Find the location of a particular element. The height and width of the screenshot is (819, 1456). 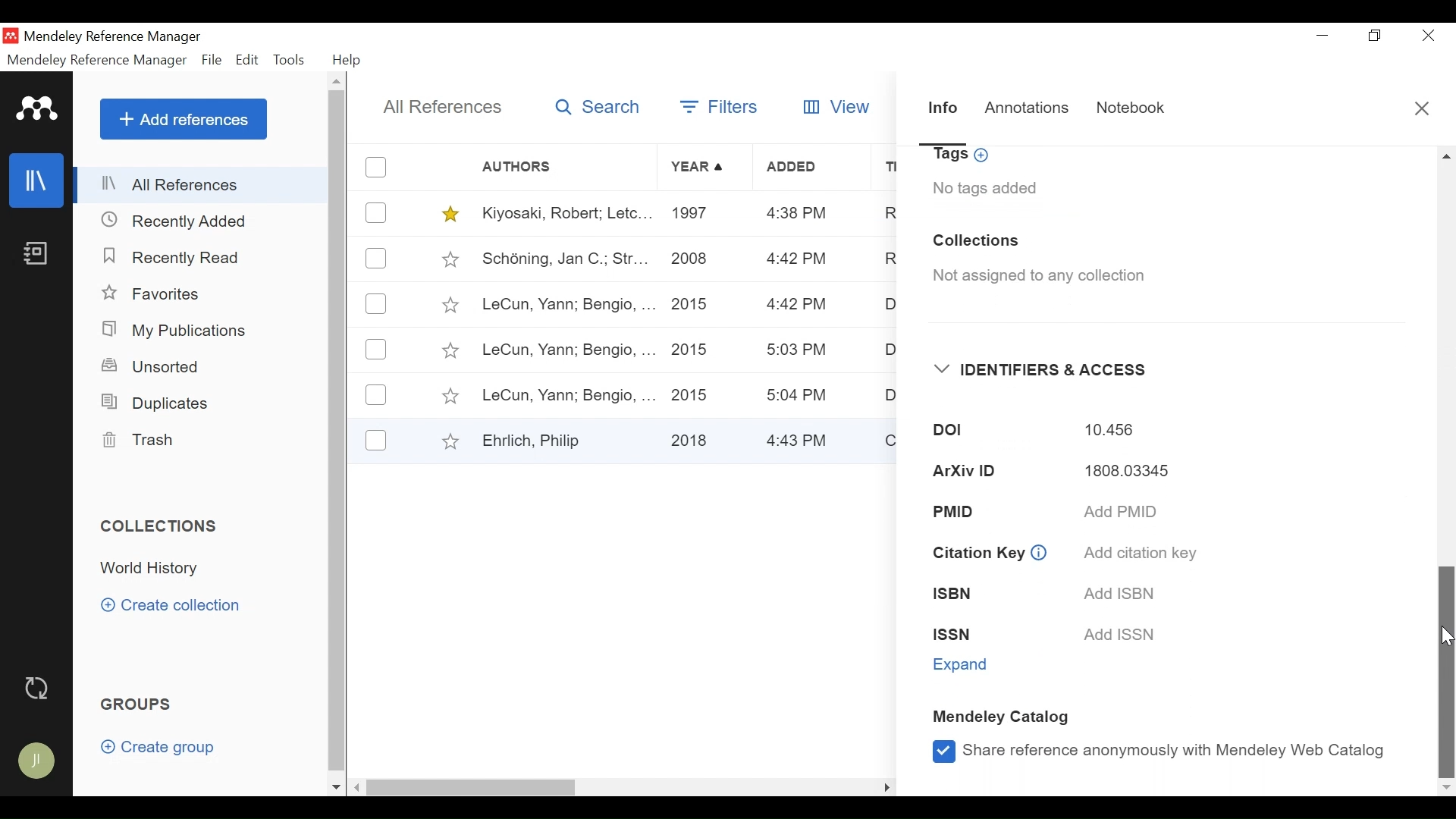

Unsorted is located at coordinates (151, 368).